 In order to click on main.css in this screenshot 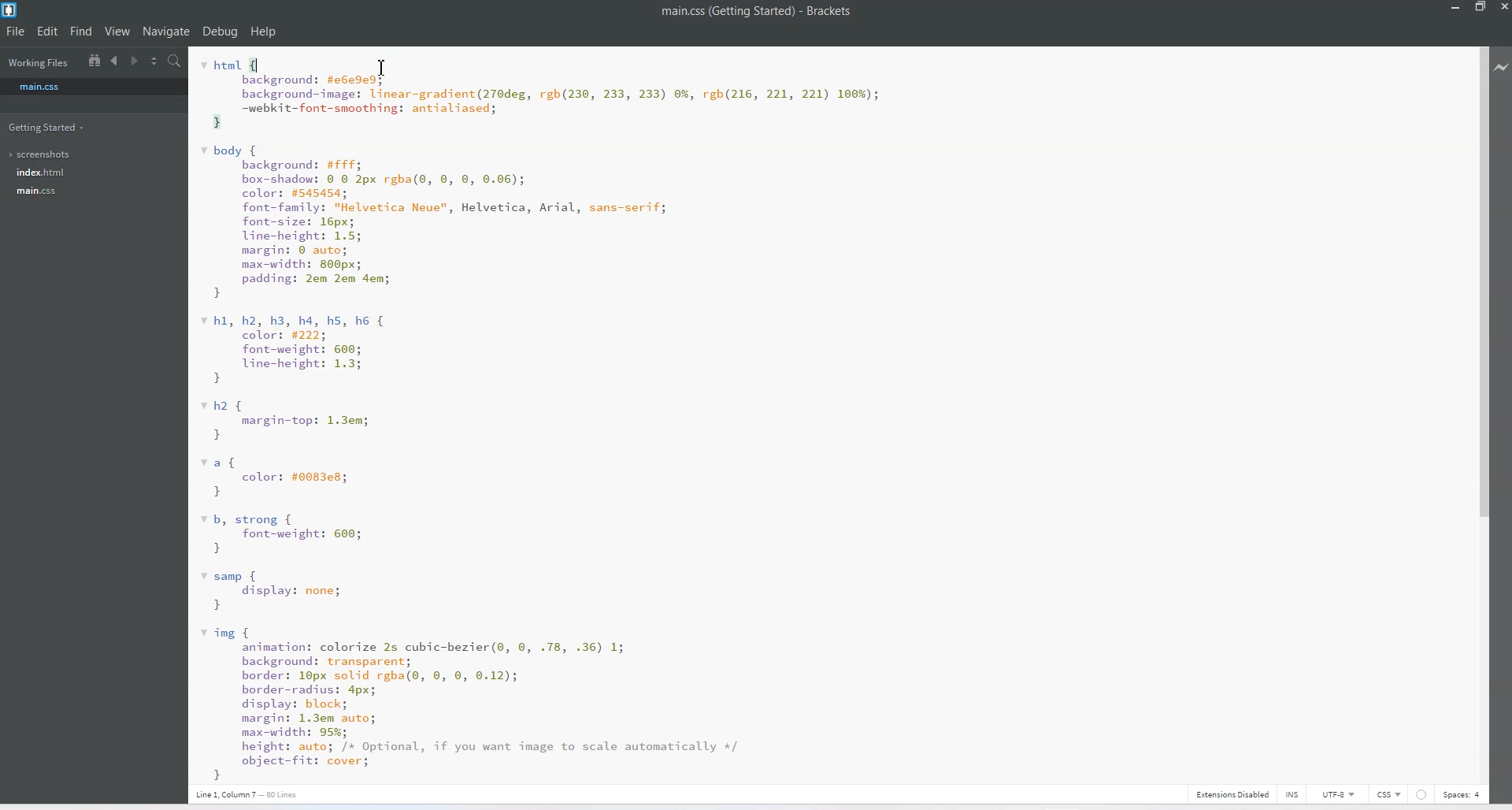, I will do `click(39, 191)`.